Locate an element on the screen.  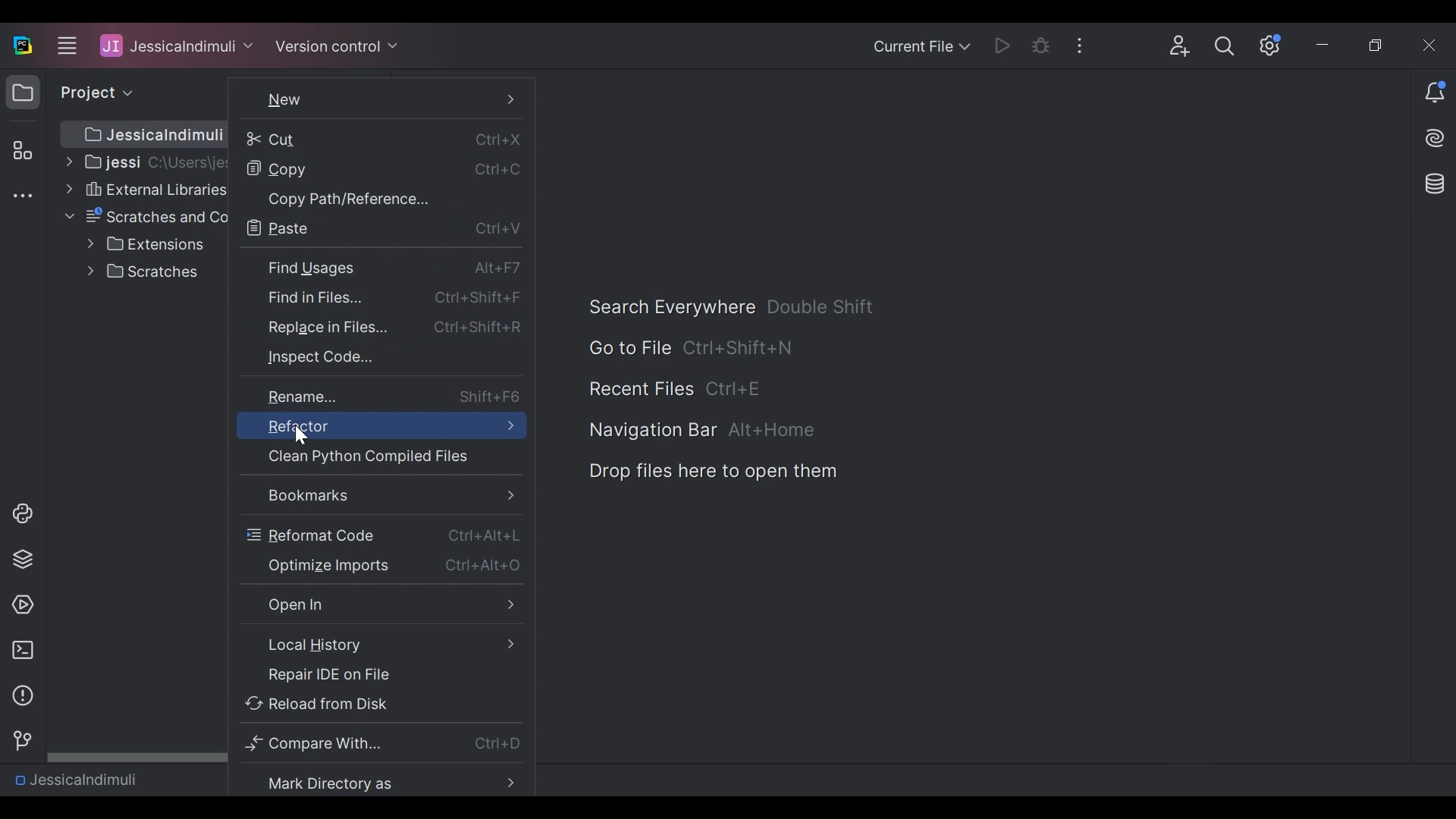
External Libraries is located at coordinates (145, 189).